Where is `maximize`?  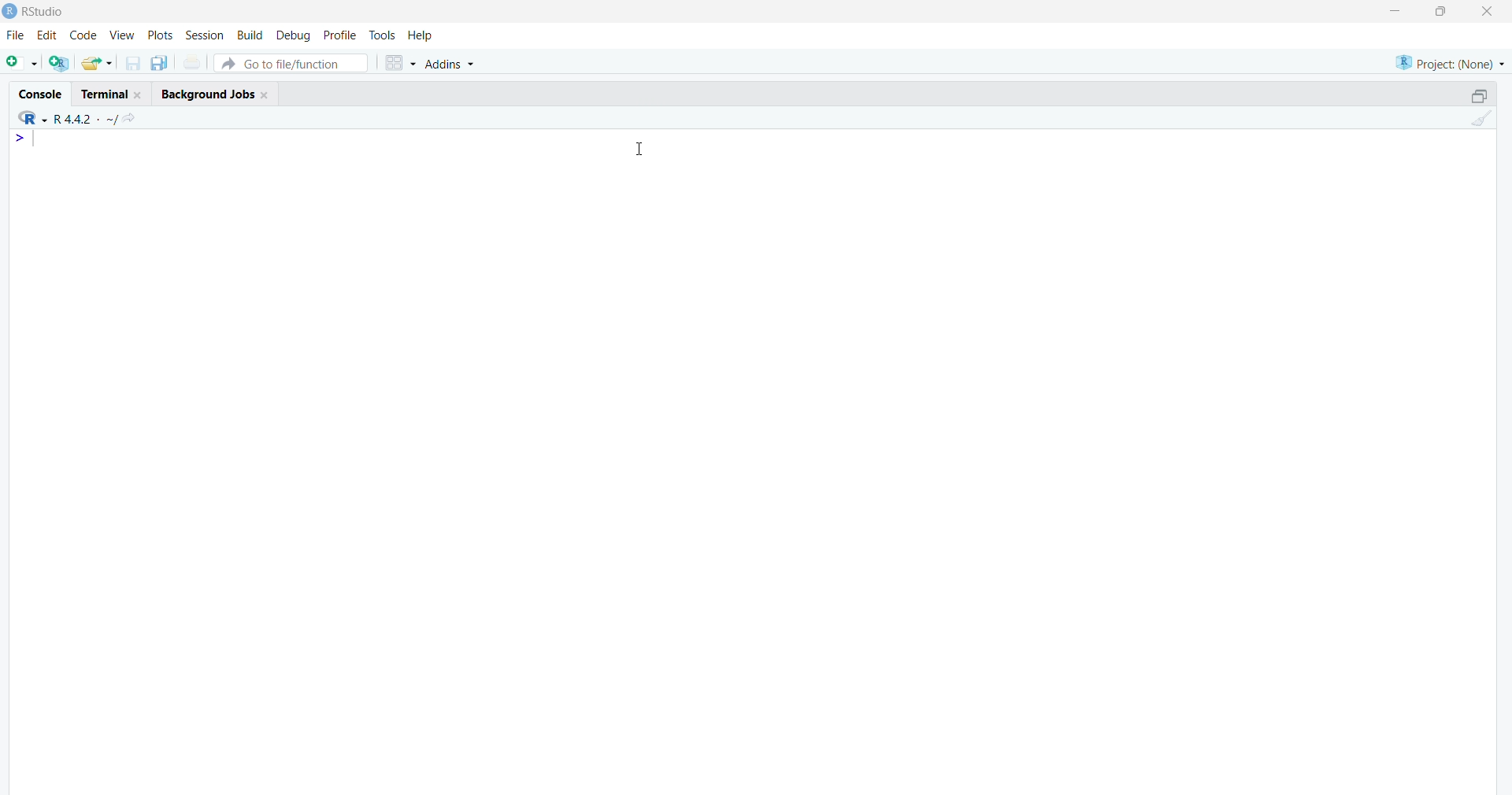
maximize is located at coordinates (1446, 11).